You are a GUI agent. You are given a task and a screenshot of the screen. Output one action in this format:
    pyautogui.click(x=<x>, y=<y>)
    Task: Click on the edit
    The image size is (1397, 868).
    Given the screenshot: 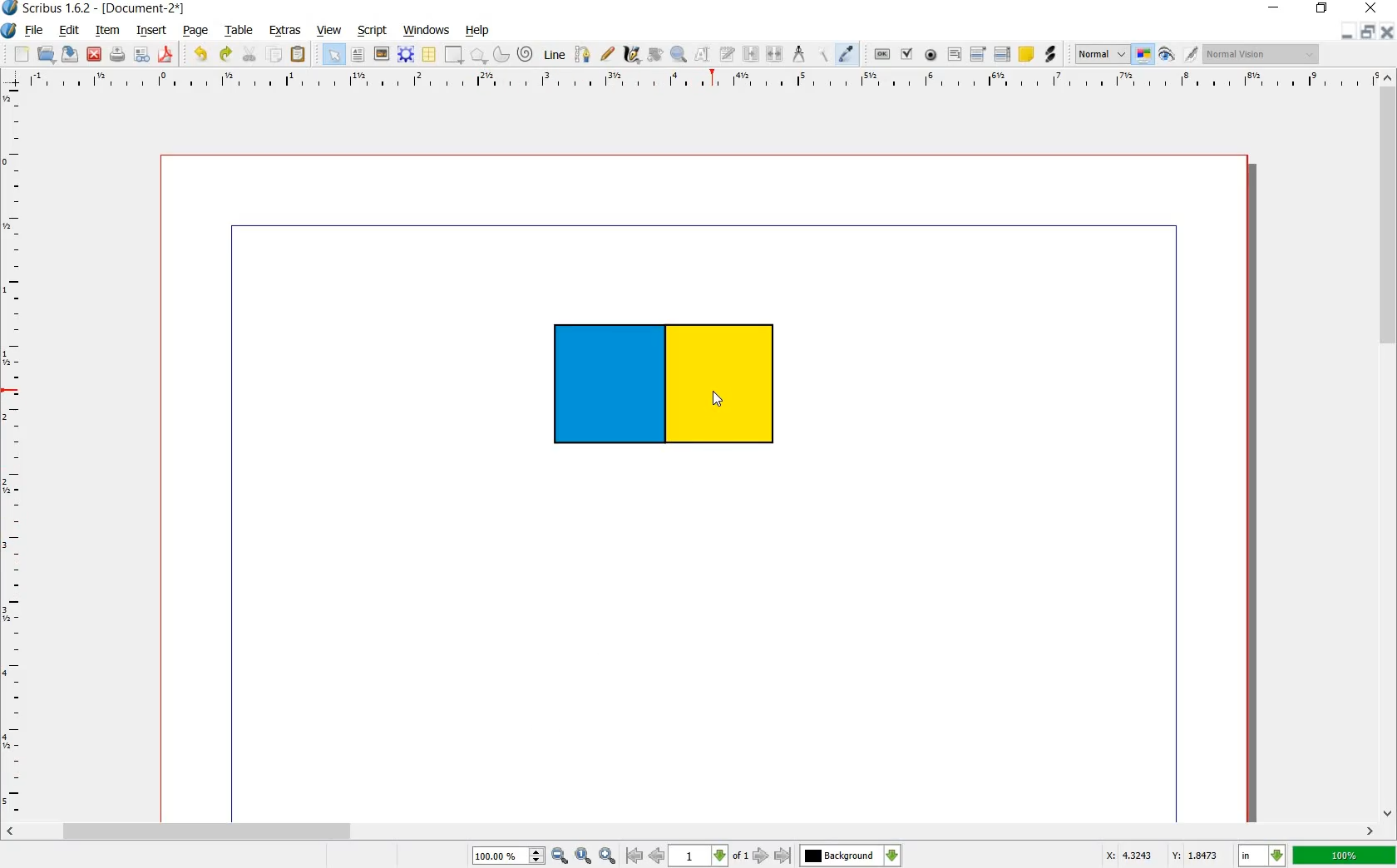 What is the action you would take?
    pyautogui.click(x=69, y=31)
    